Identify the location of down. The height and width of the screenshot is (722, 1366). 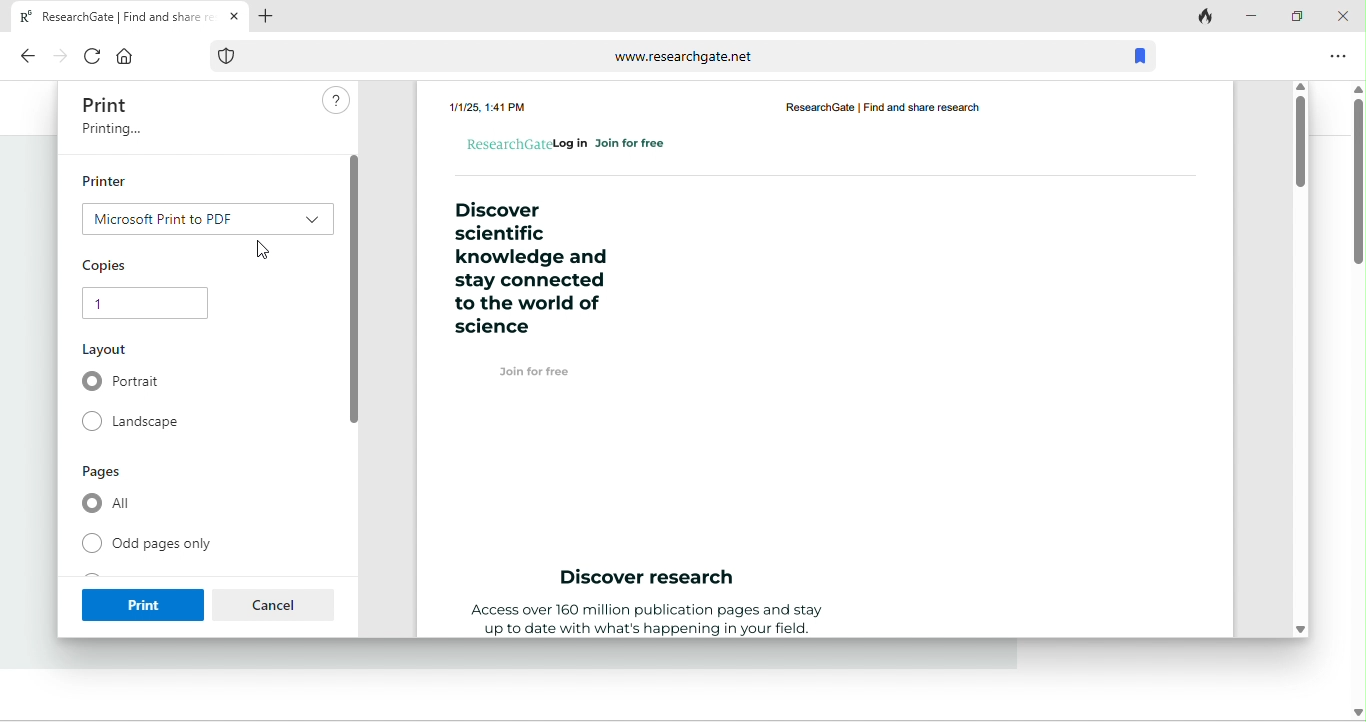
(1352, 703).